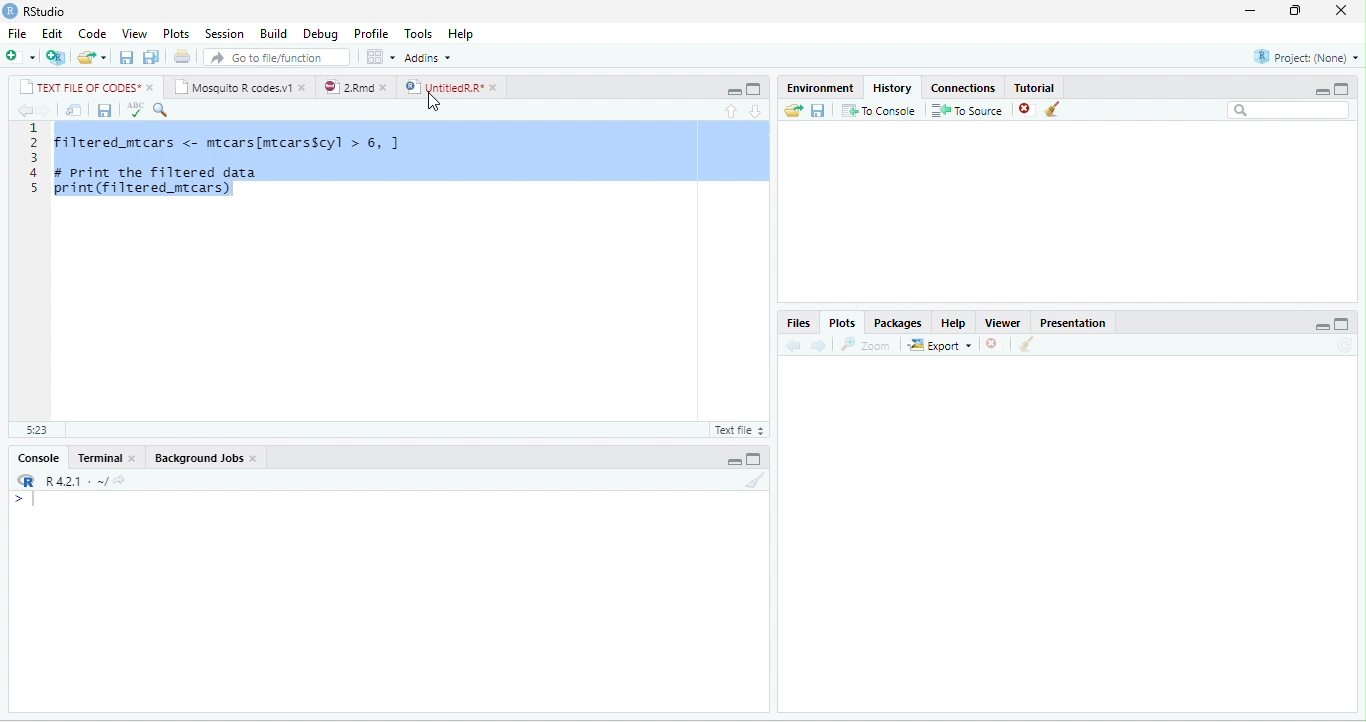  Describe the element at coordinates (55, 57) in the screenshot. I see `new project` at that location.